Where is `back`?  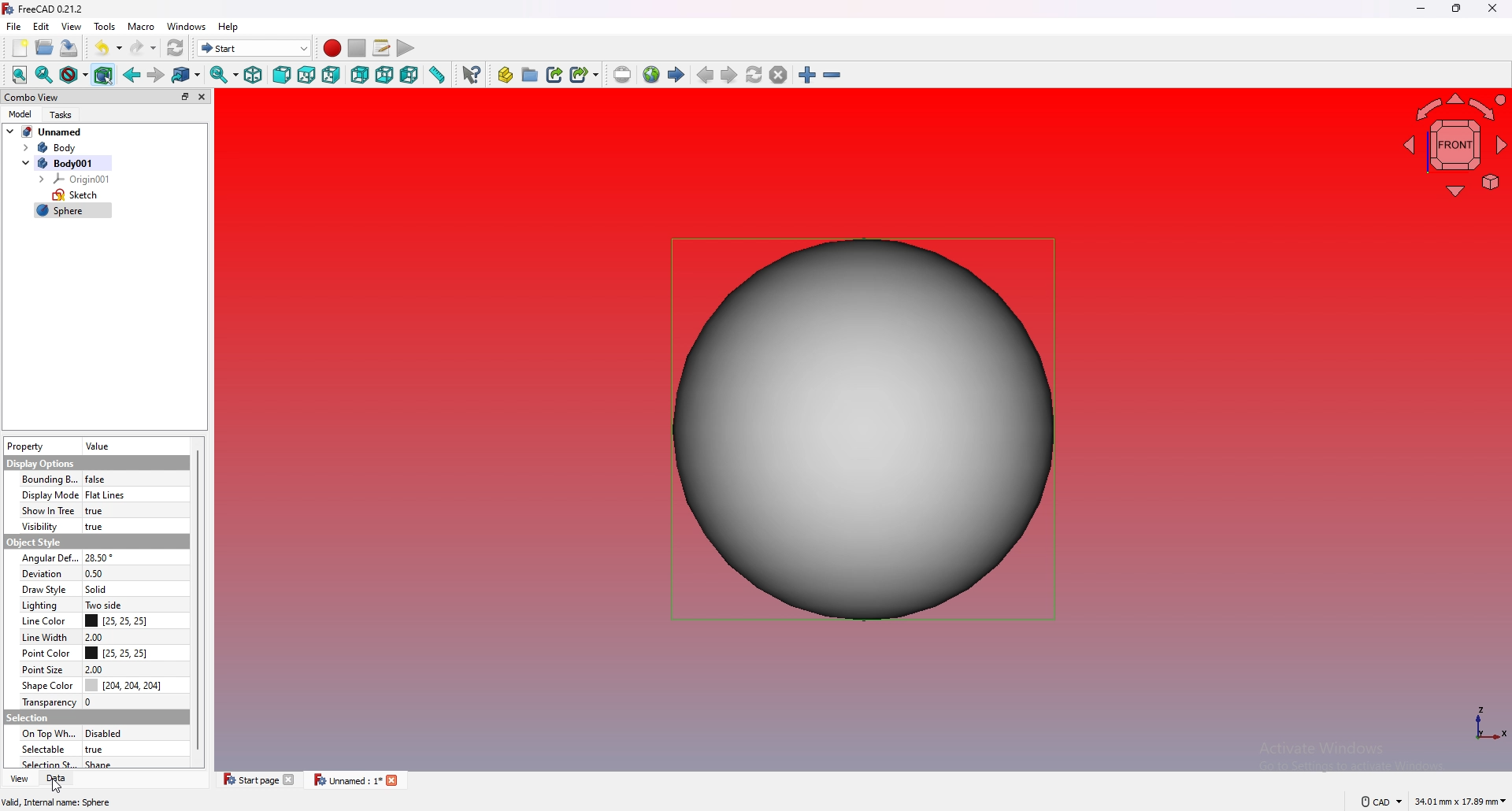
back is located at coordinates (132, 75).